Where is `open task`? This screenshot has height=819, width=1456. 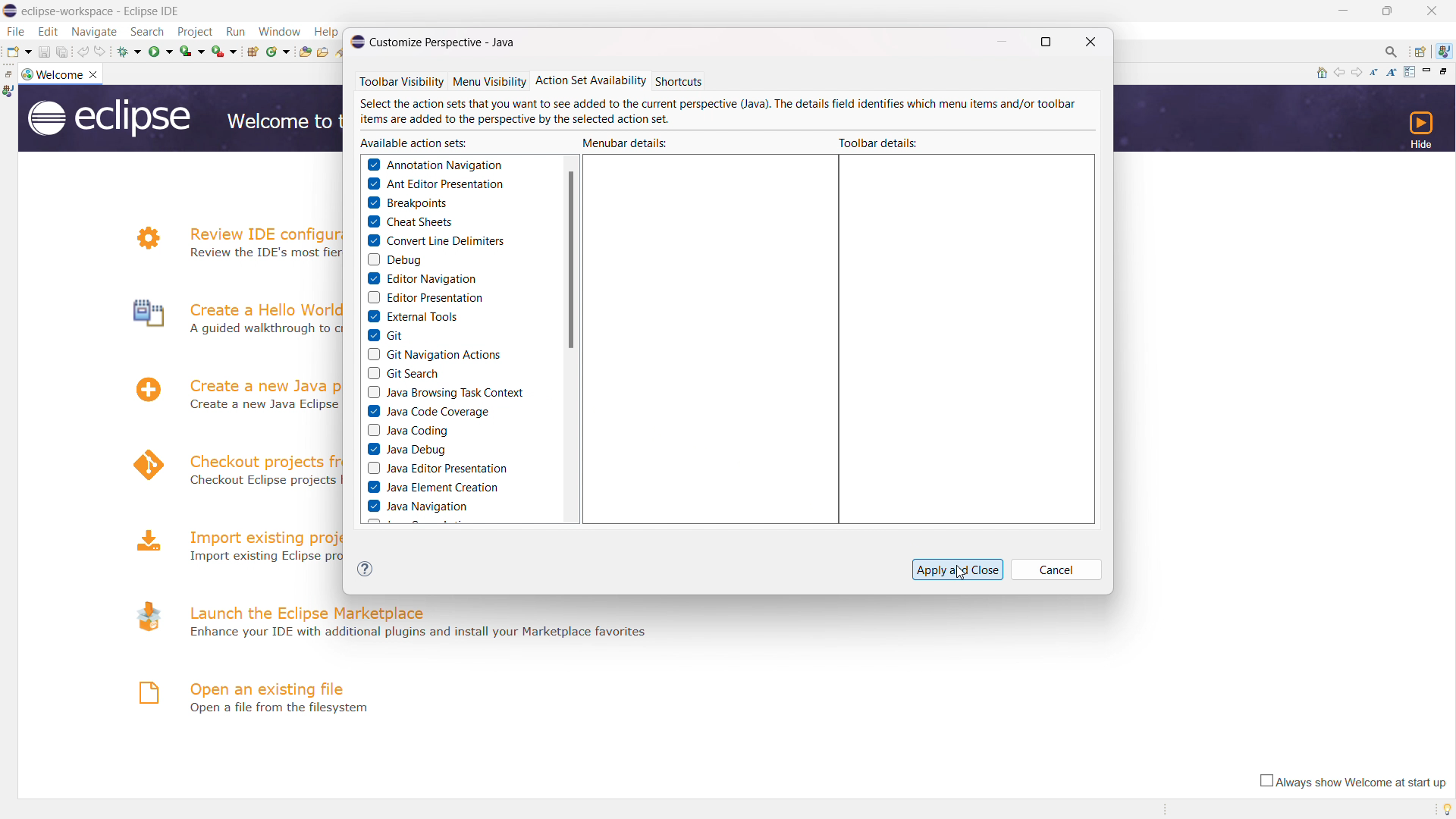 open task is located at coordinates (322, 52).